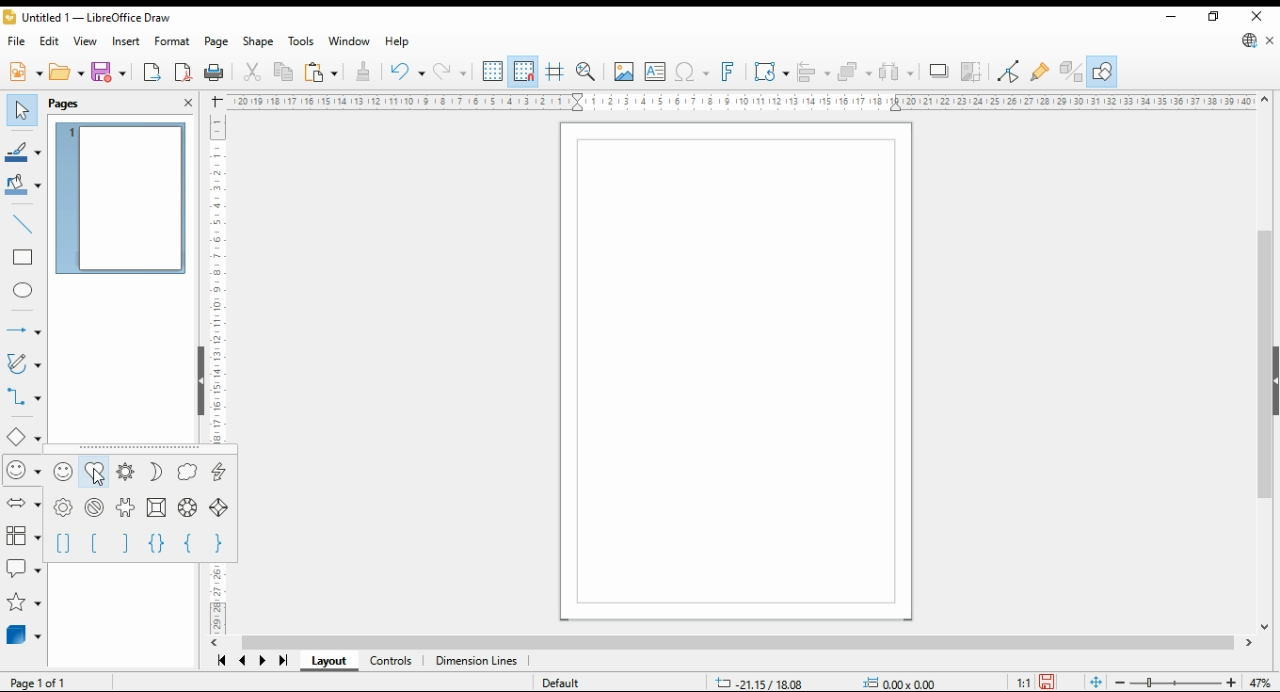 The height and width of the screenshot is (692, 1280). I want to click on controls, so click(392, 663).